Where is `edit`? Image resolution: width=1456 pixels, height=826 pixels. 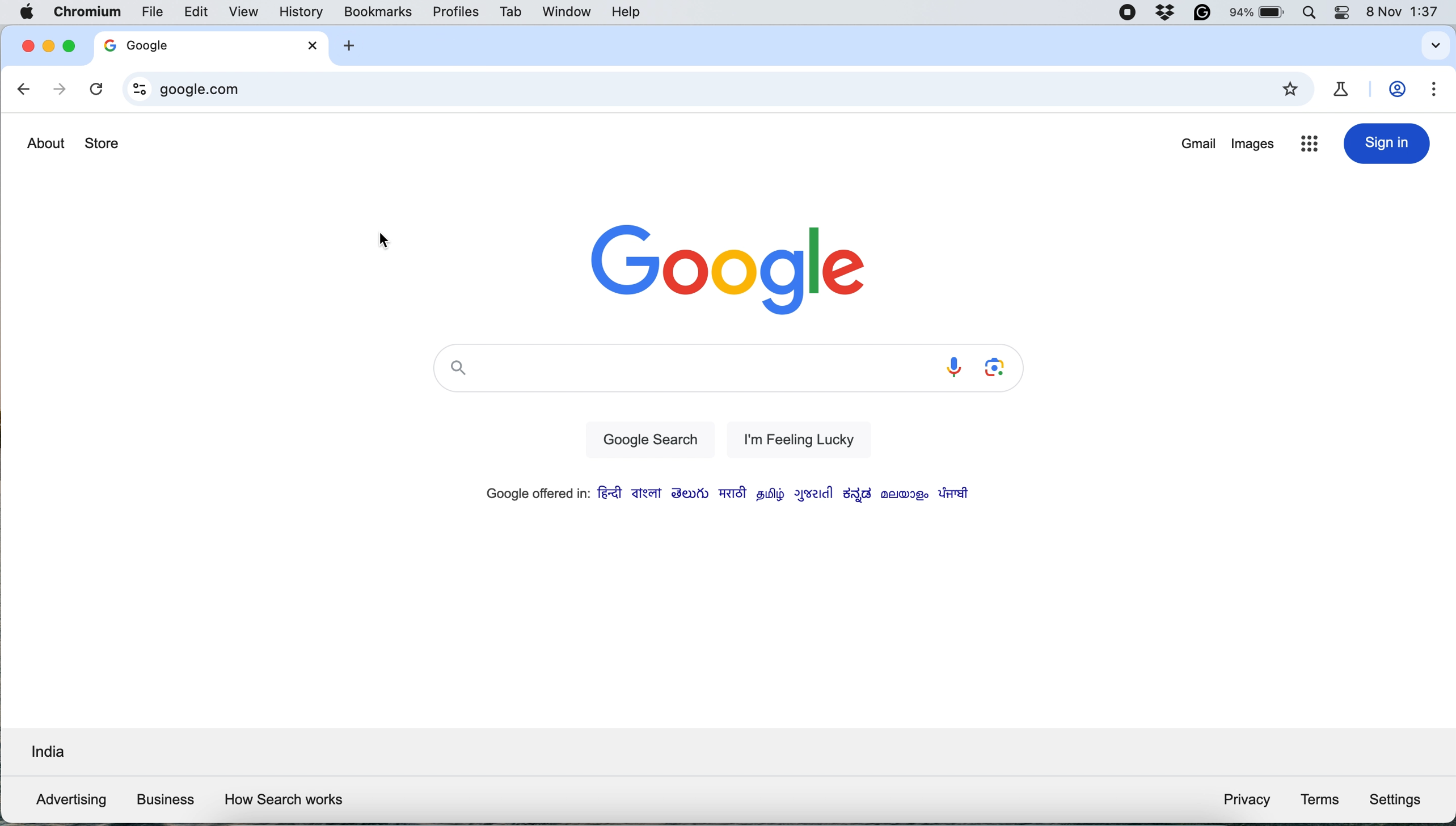
edit is located at coordinates (197, 12).